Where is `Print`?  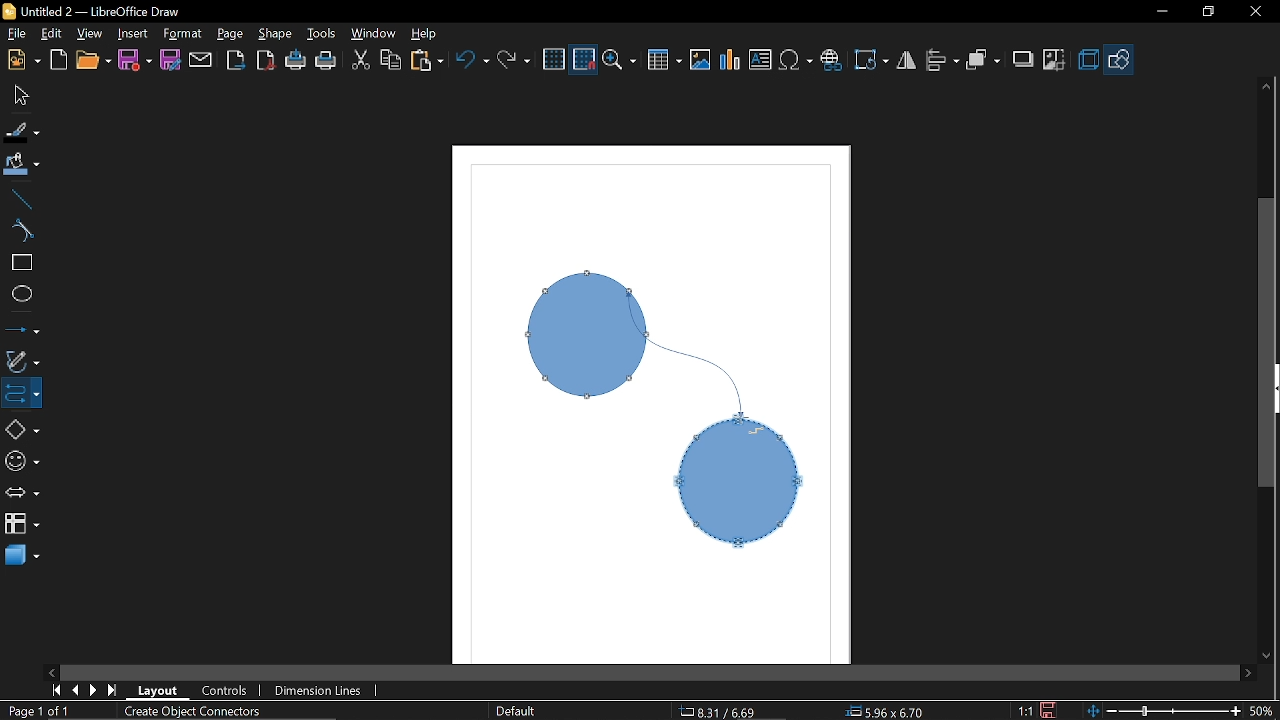
Print is located at coordinates (326, 60).